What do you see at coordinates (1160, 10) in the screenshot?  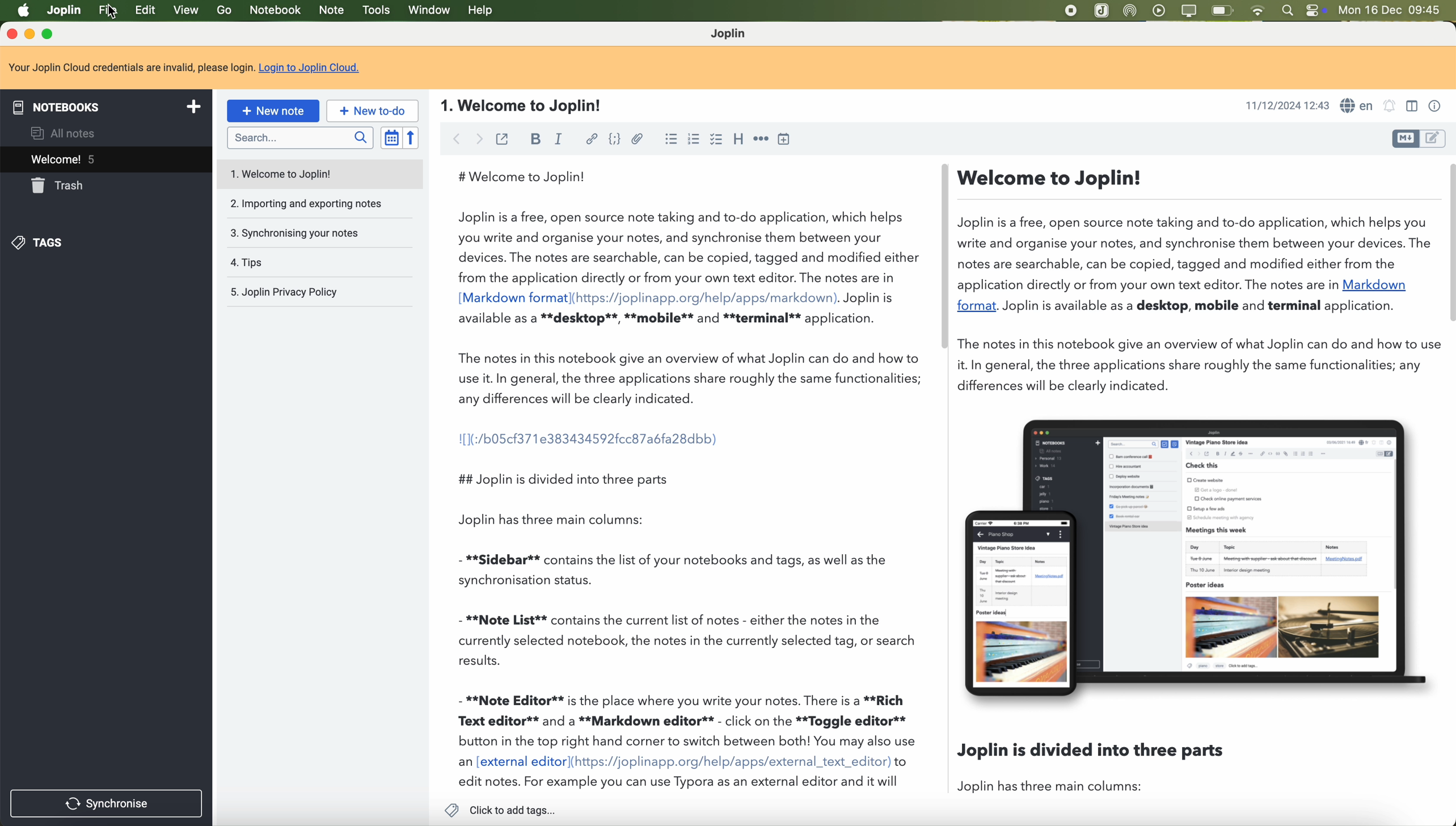 I see `play` at bounding box center [1160, 10].